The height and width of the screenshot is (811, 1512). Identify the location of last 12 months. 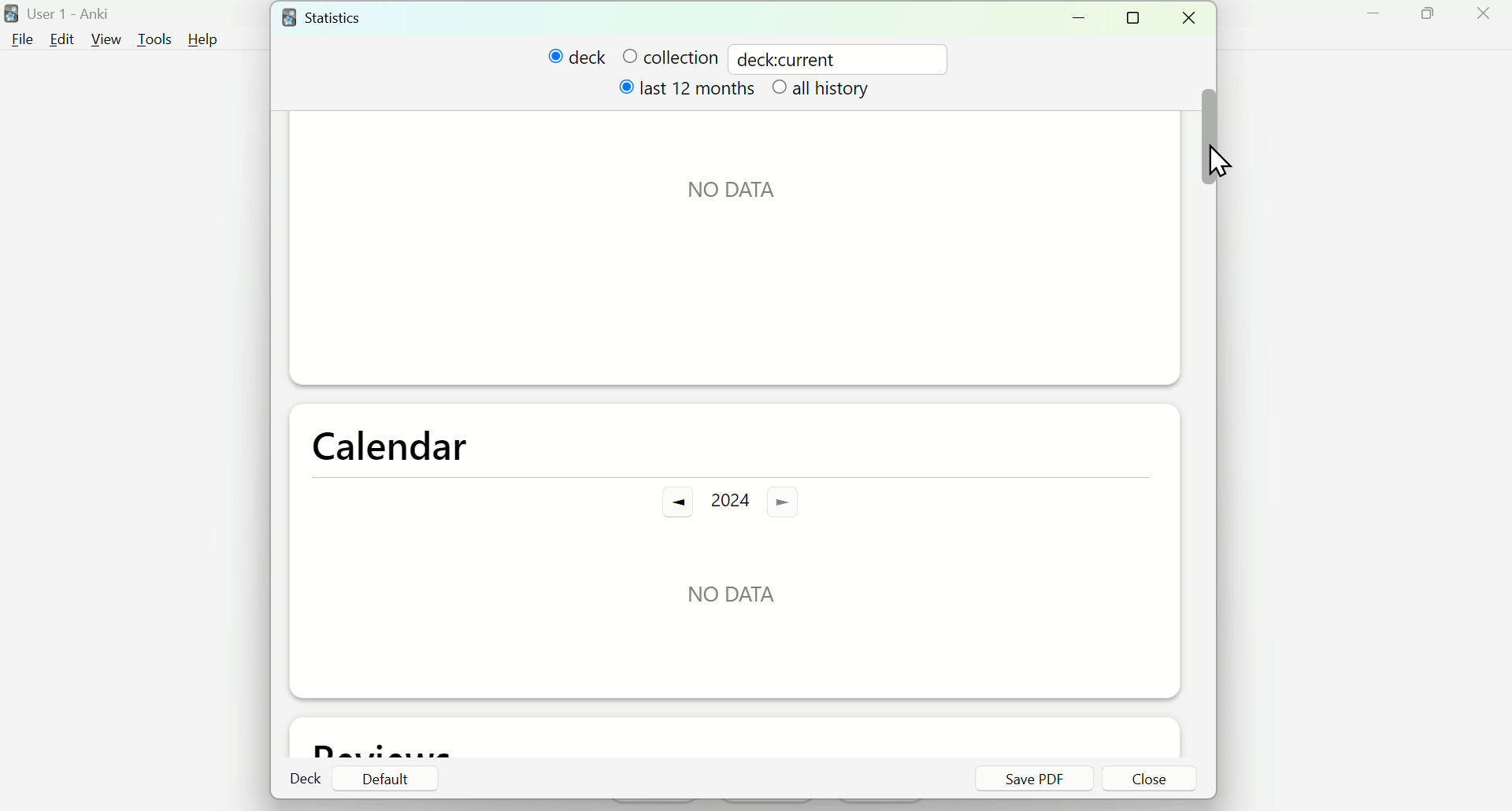
(689, 93).